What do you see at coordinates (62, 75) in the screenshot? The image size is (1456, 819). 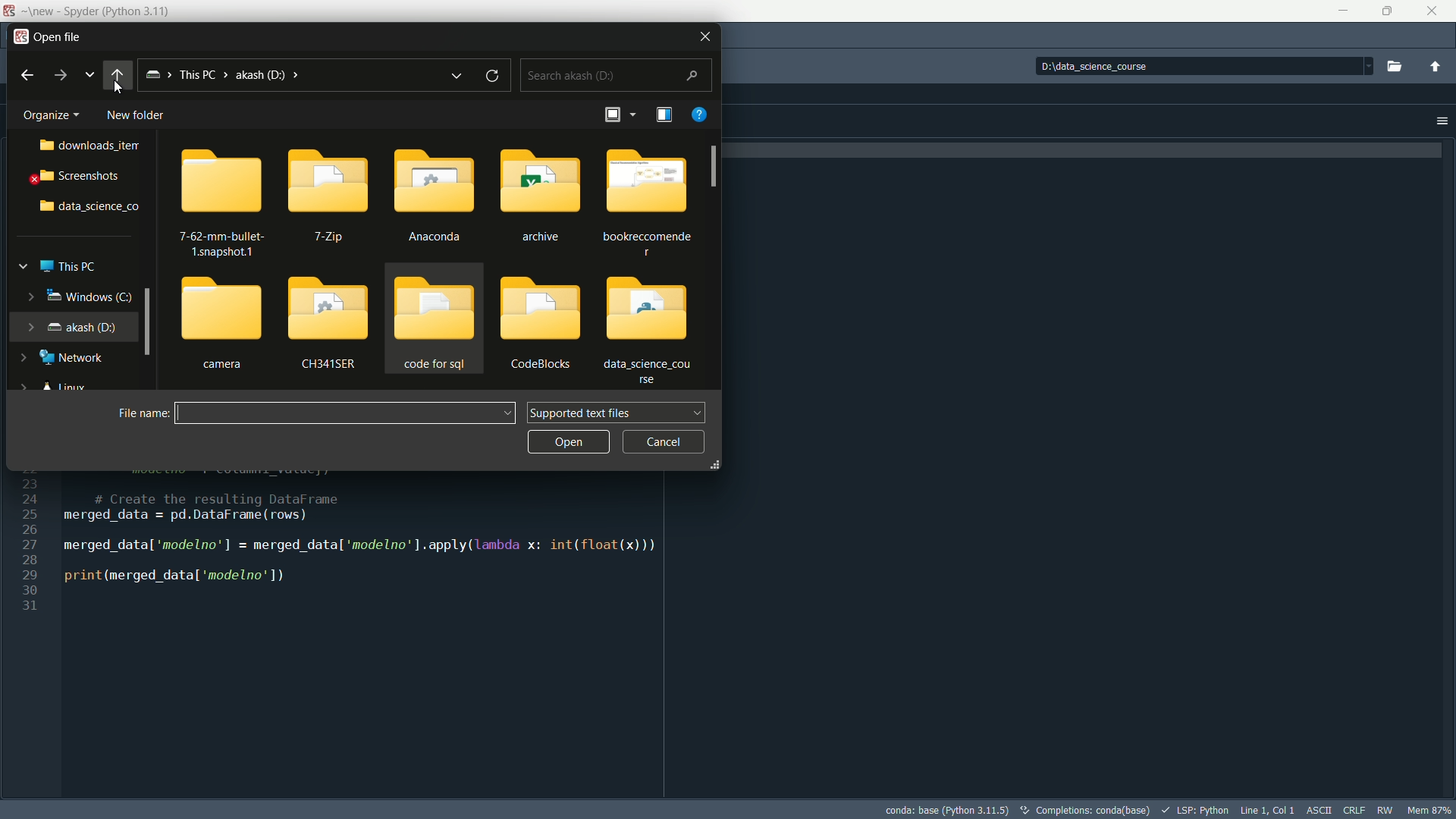 I see `forward` at bounding box center [62, 75].